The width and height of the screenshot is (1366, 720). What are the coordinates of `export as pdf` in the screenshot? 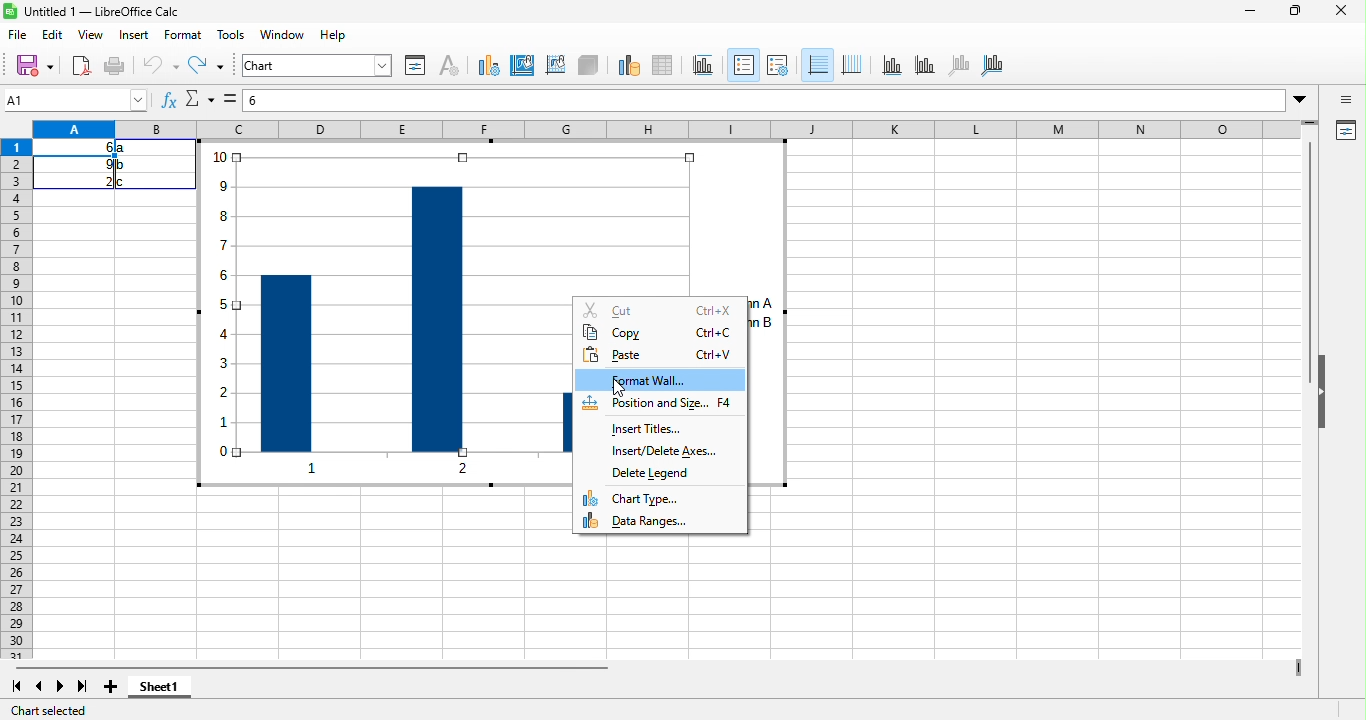 It's located at (81, 65).